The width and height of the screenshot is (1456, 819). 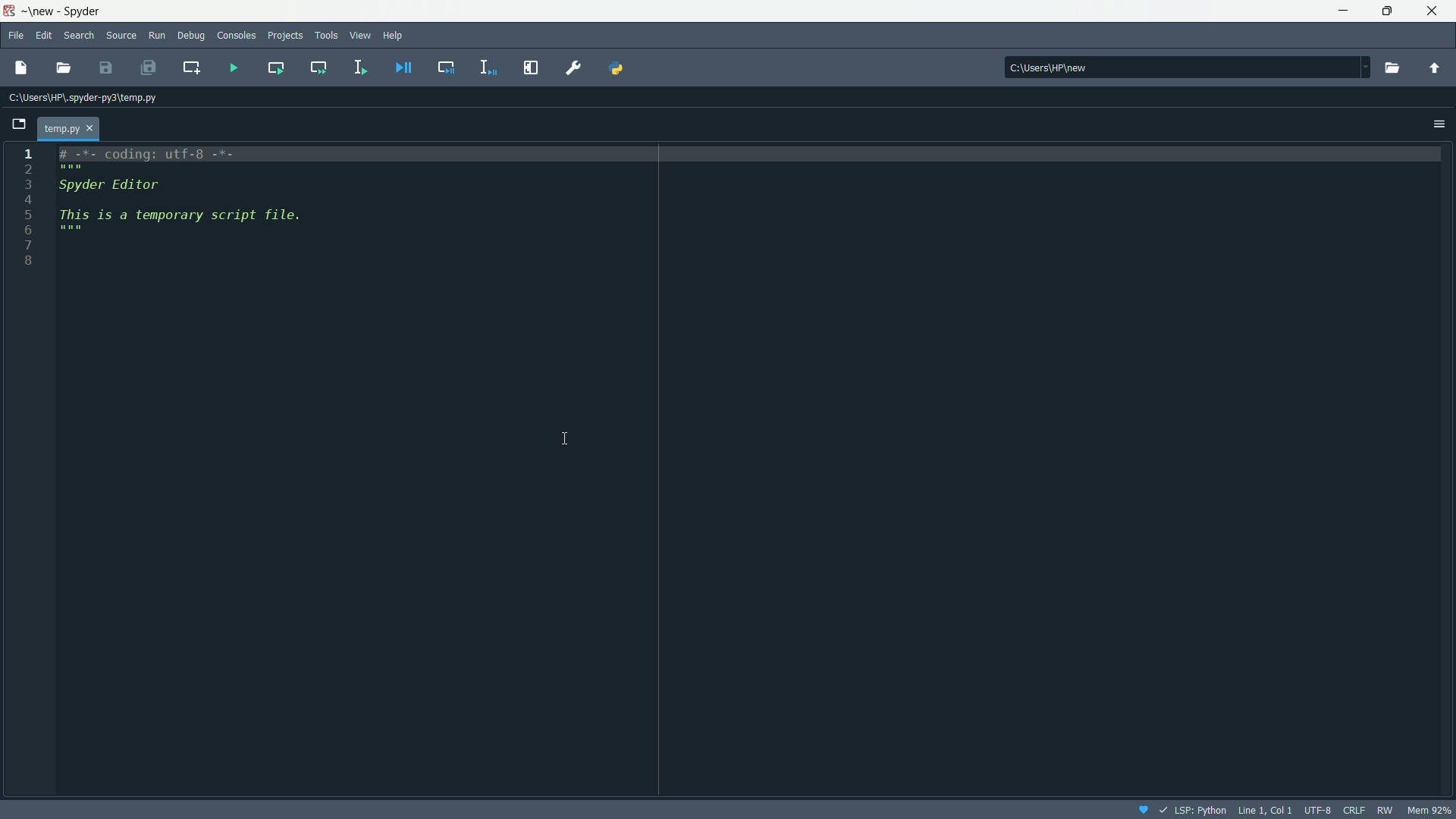 I want to click on Run selector or current line (F9), so click(x=356, y=65).